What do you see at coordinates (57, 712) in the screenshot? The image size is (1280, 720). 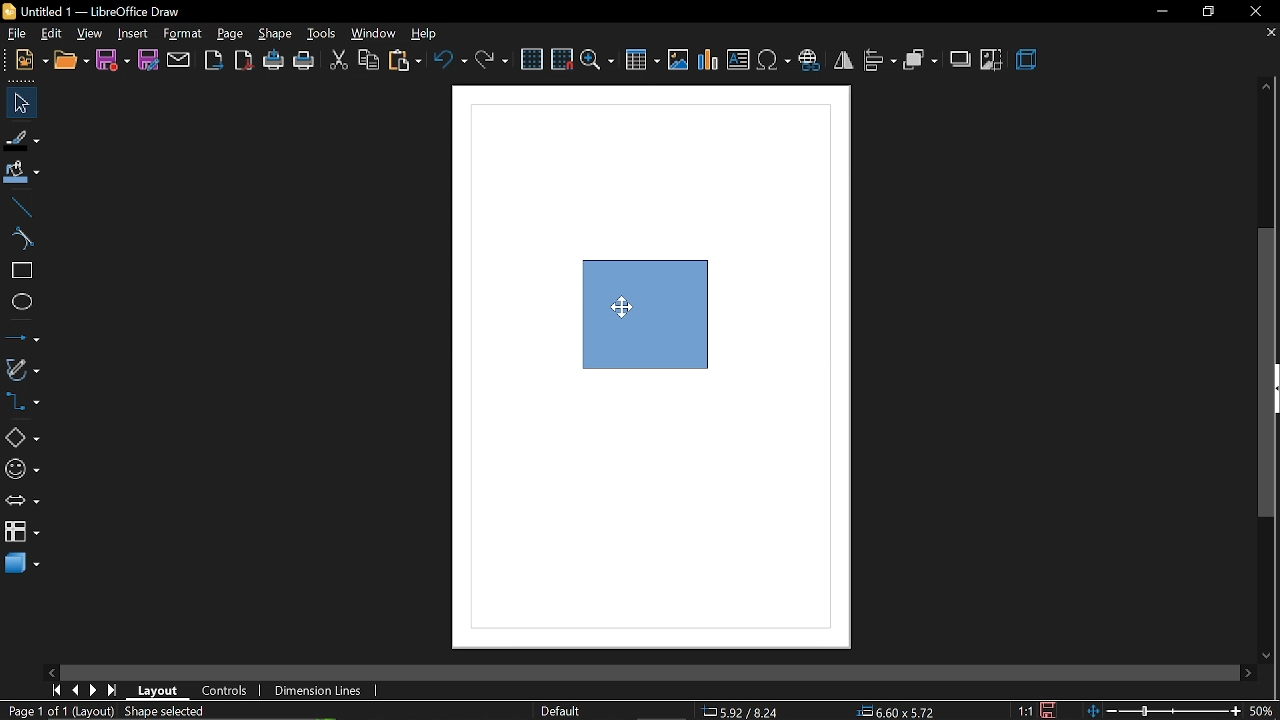 I see `current page (Page 1 of 1 (Layout))` at bounding box center [57, 712].